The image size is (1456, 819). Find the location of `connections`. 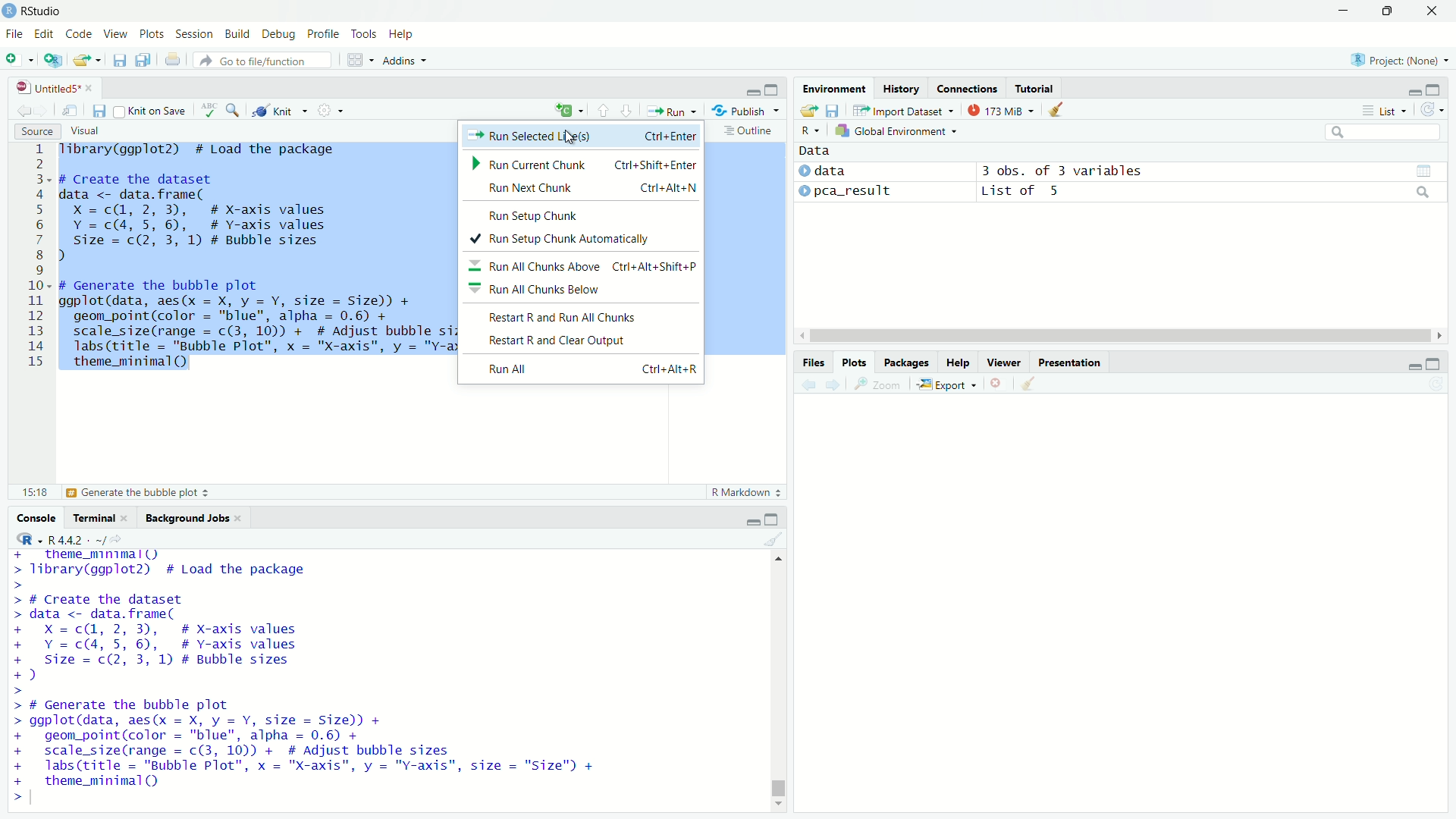

connections is located at coordinates (967, 88).